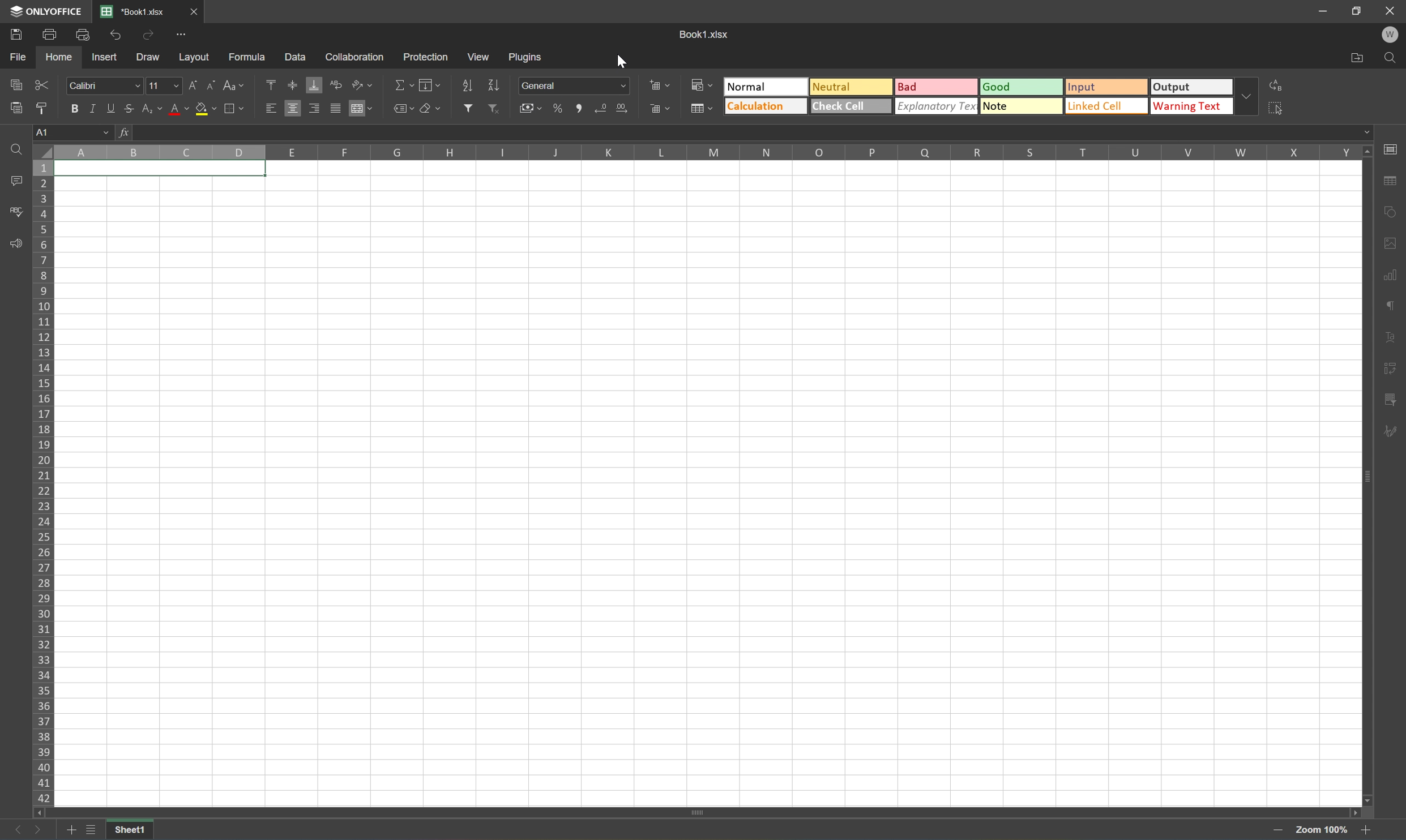 The width and height of the screenshot is (1406, 840). I want to click on Input, so click(1106, 88).